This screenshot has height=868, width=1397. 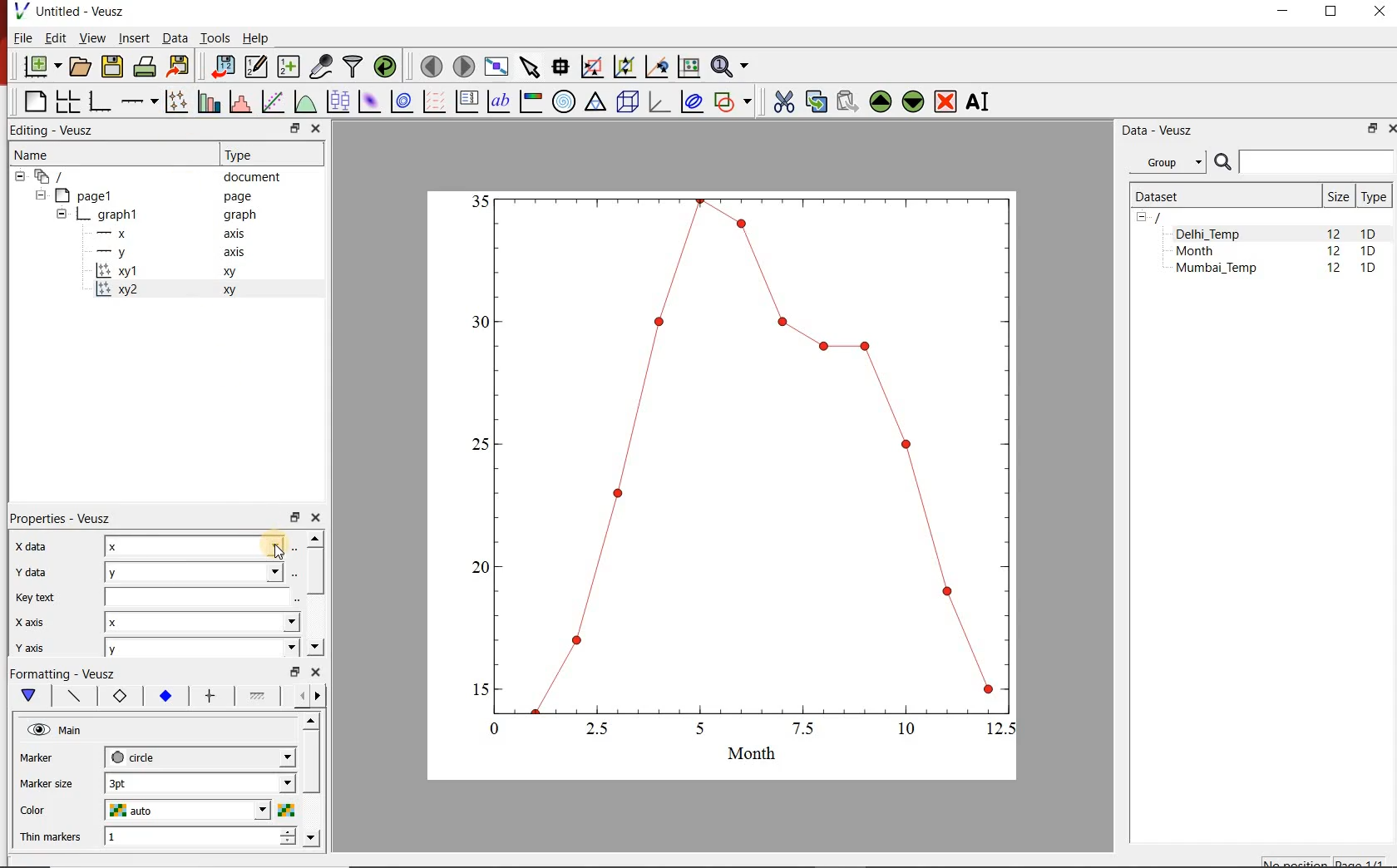 What do you see at coordinates (1377, 11) in the screenshot?
I see `CLOSE` at bounding box center [1377, 11].